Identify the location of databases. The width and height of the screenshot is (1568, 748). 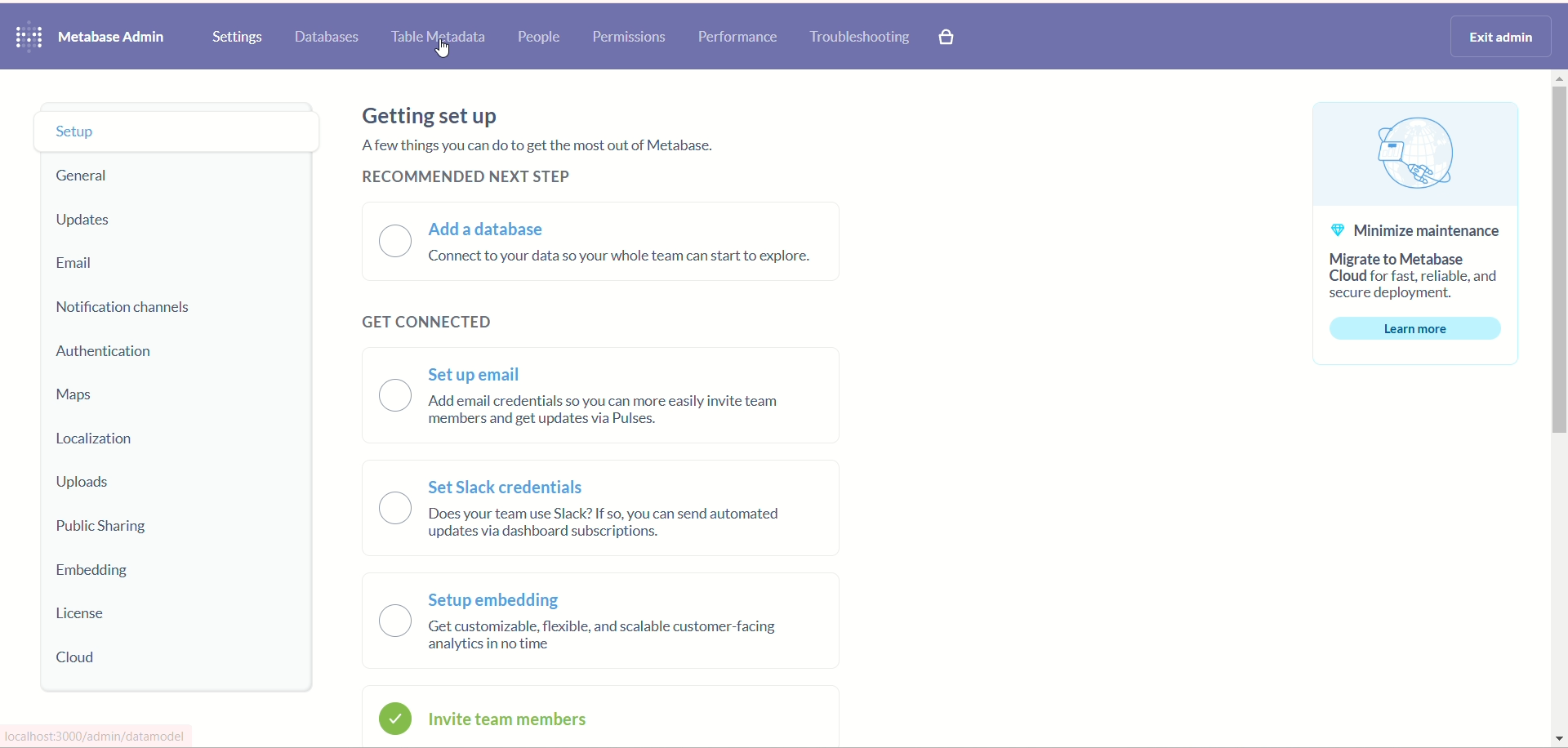
(324, 38).